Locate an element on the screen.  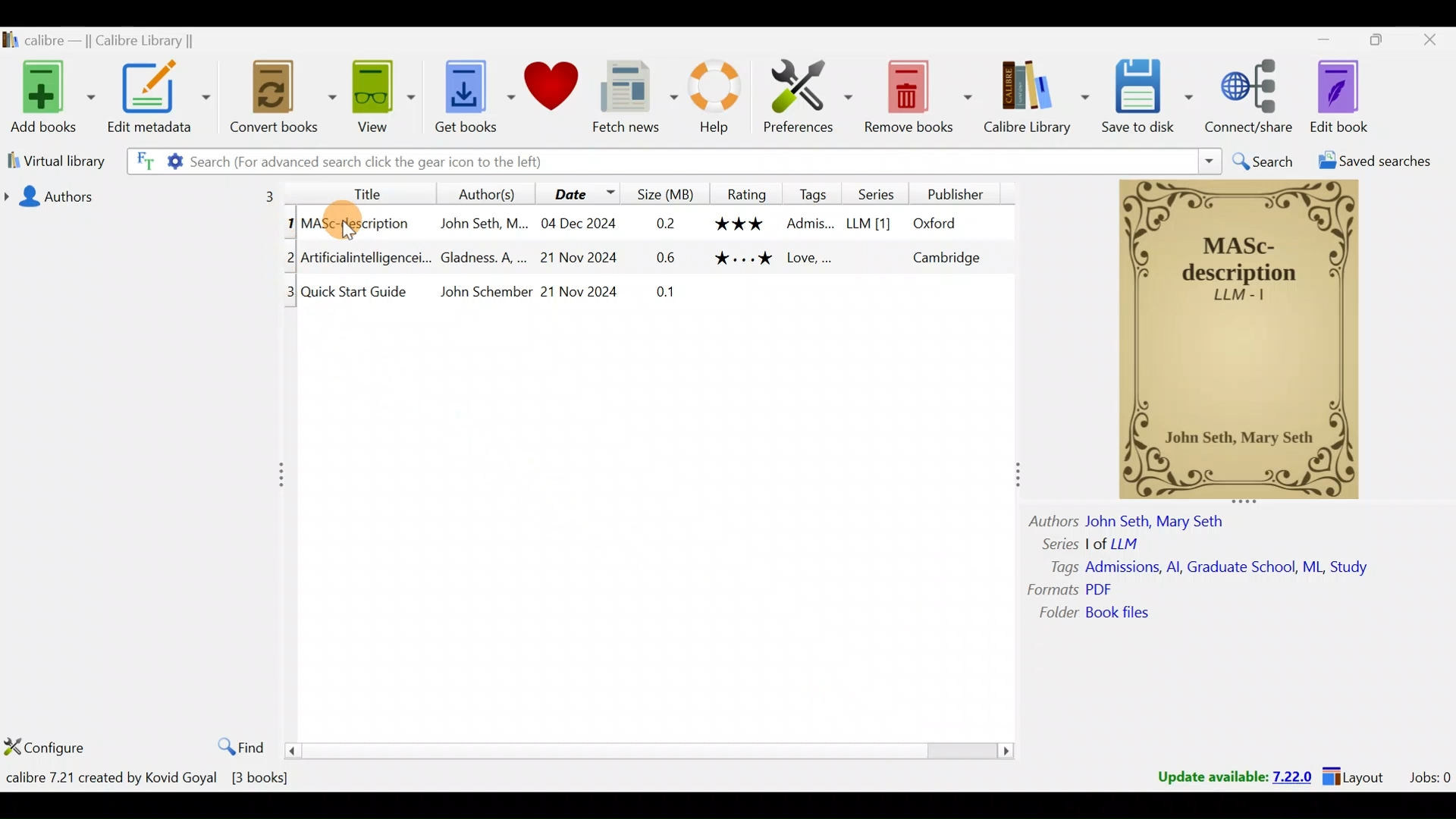
Convert books is located at coordinates (284, 100).